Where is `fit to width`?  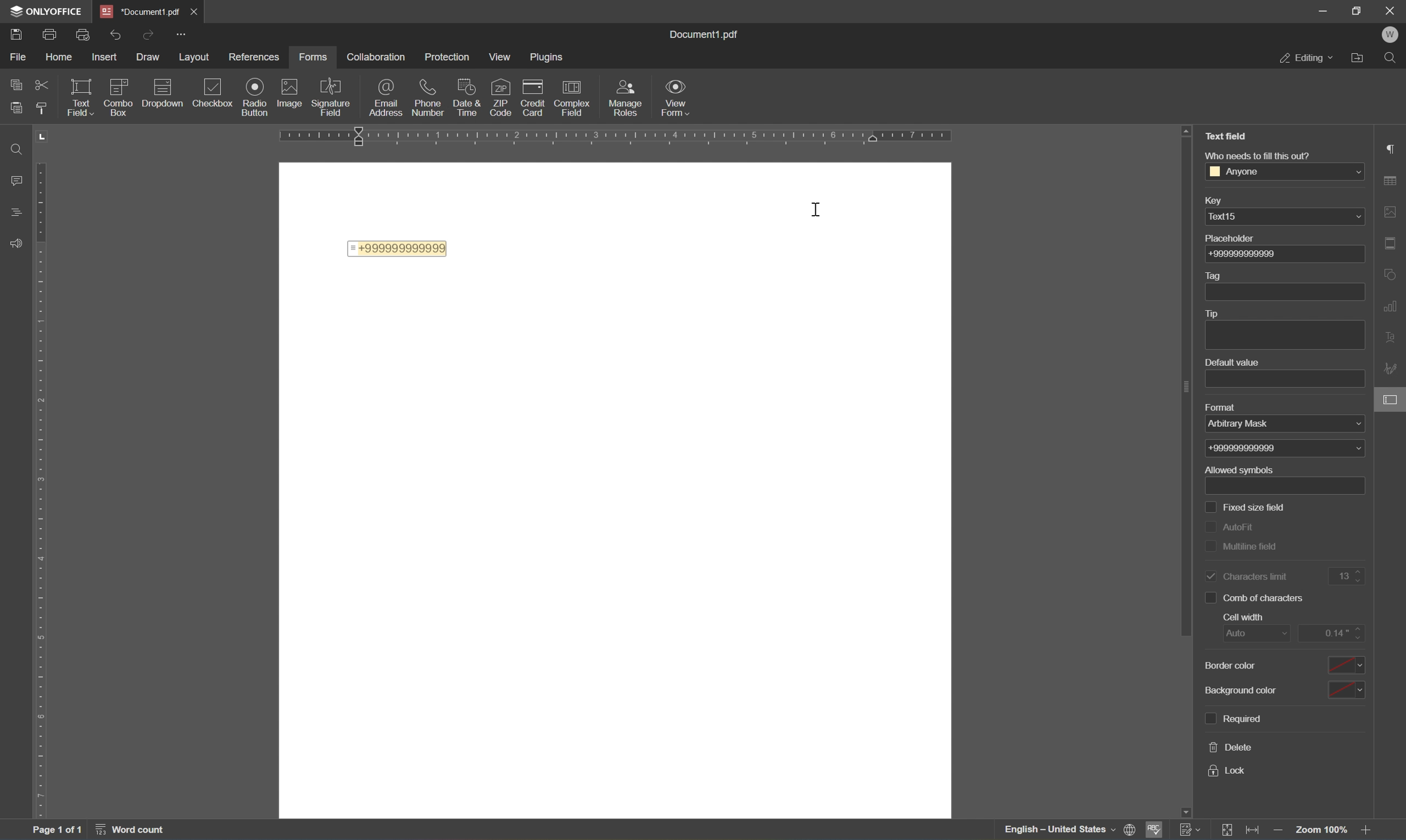
fit to width is located at coordinates (1253, 829).